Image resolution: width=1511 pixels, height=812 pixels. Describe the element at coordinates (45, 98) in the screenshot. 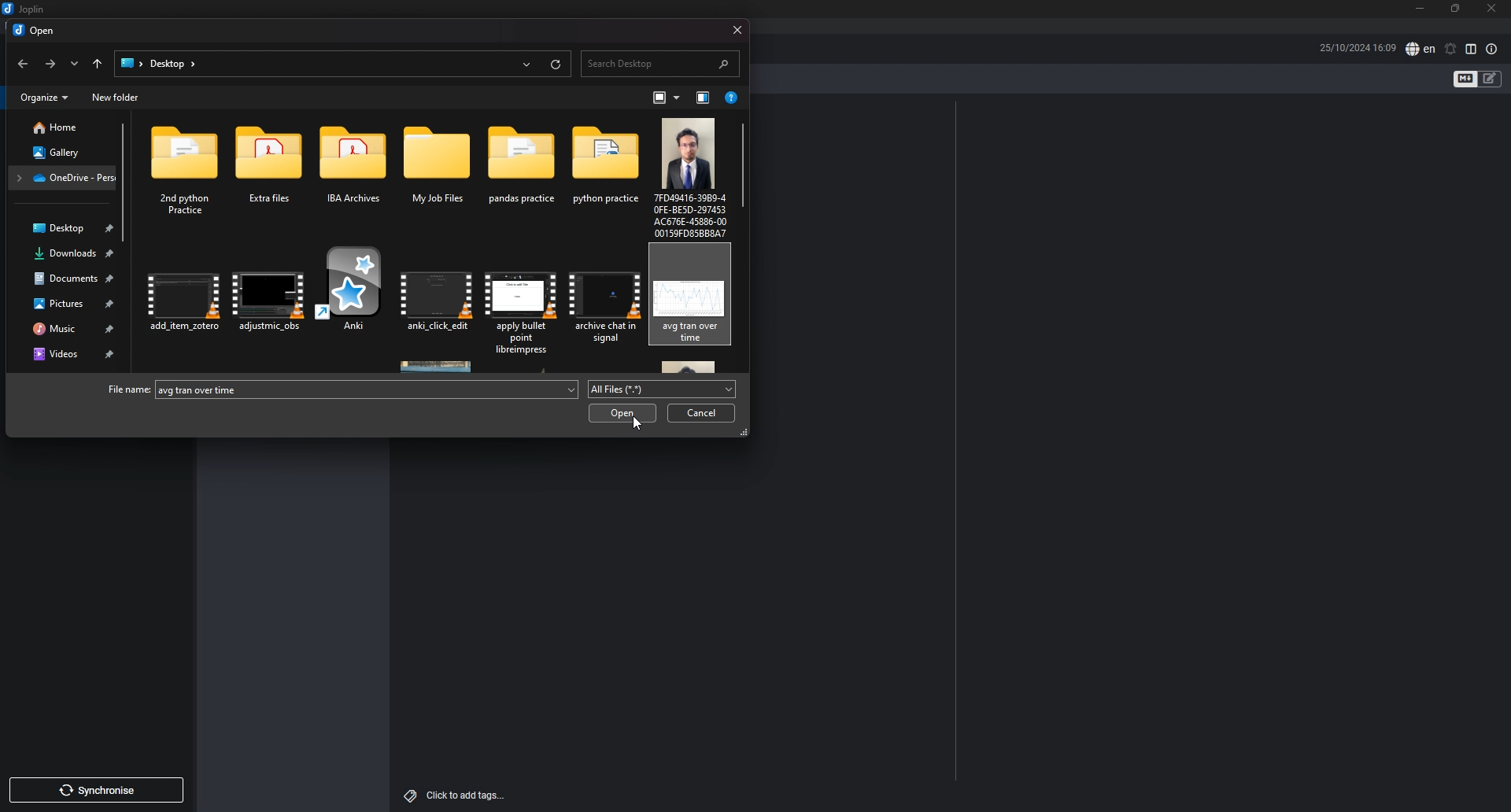

I see `organize` at that location.